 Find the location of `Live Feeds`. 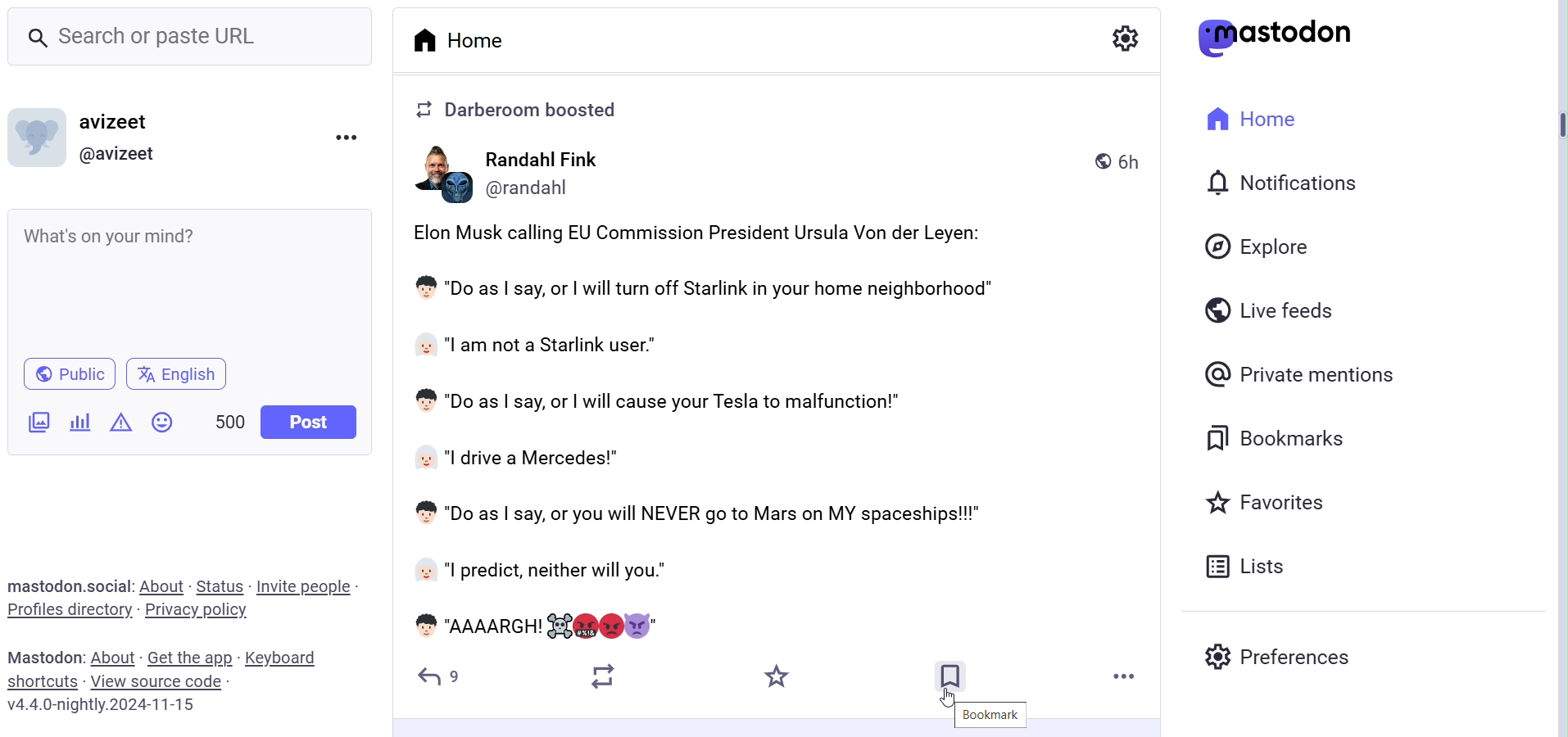

Live Feeds is located at coordinates (1267, 306).